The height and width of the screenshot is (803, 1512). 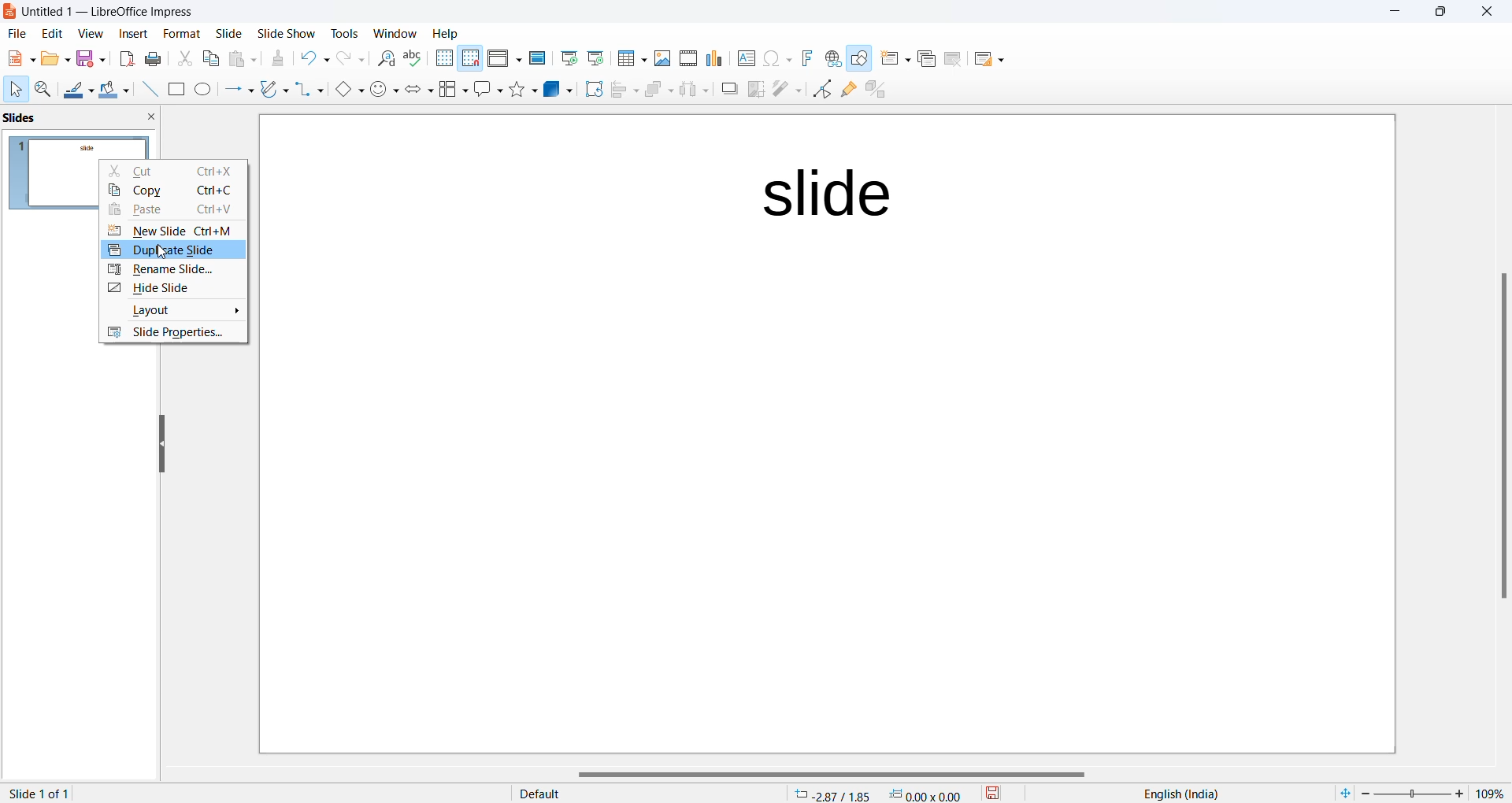 What do you see at coordinates (344, 88) in the screenshot?
I see `basic shapes` at bounding box center [344, 88].